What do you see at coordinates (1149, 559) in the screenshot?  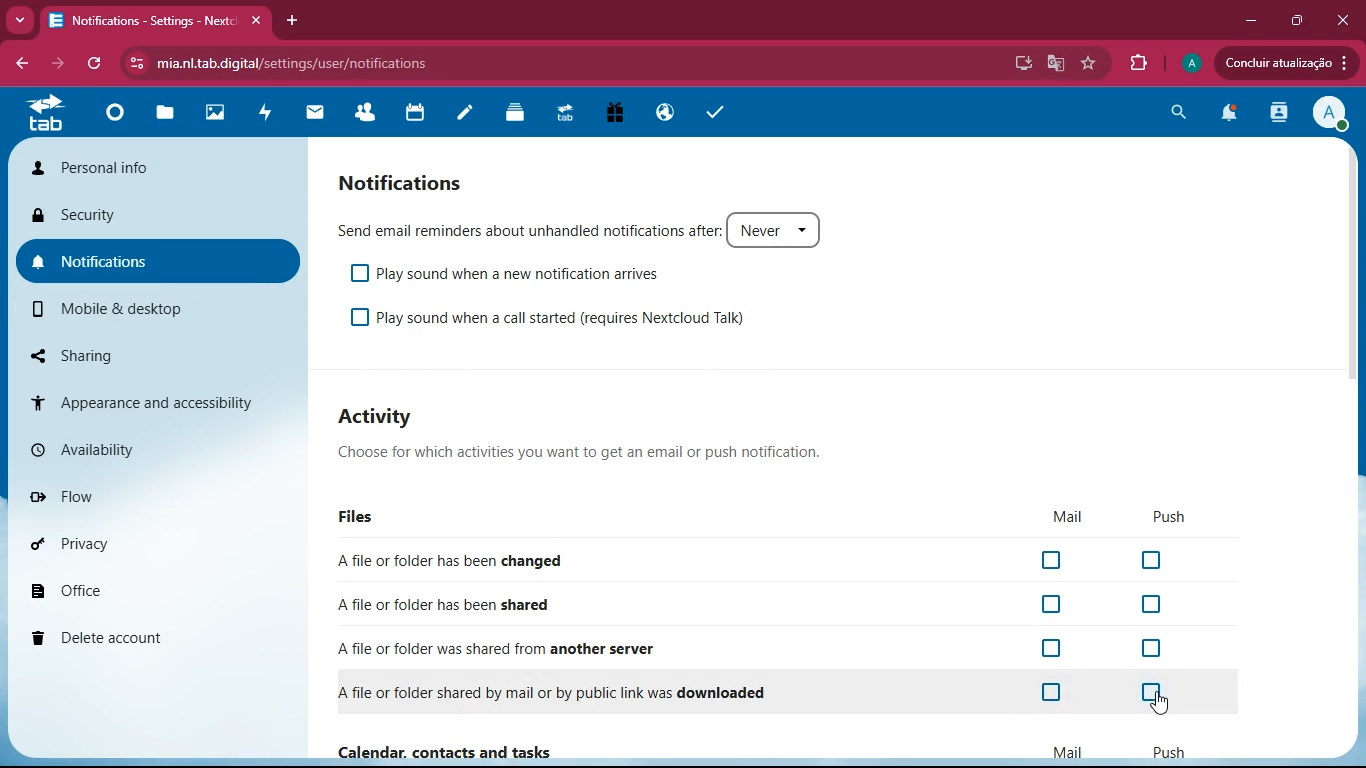 I see `off` at bounding box center [1149, 559].